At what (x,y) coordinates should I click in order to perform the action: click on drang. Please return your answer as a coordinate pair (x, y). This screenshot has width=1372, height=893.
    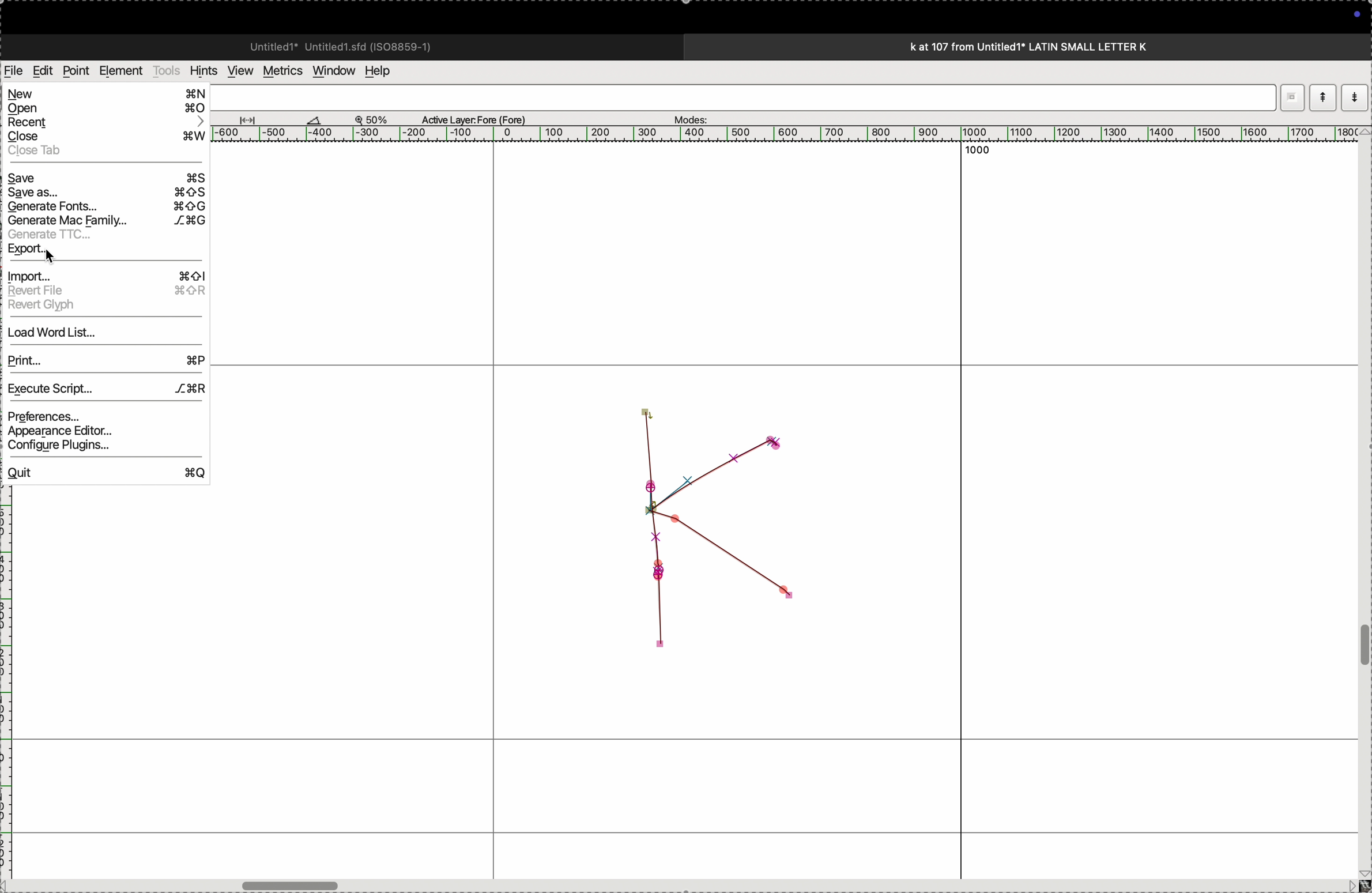
    Looking at the image, I should click on (254, 118).